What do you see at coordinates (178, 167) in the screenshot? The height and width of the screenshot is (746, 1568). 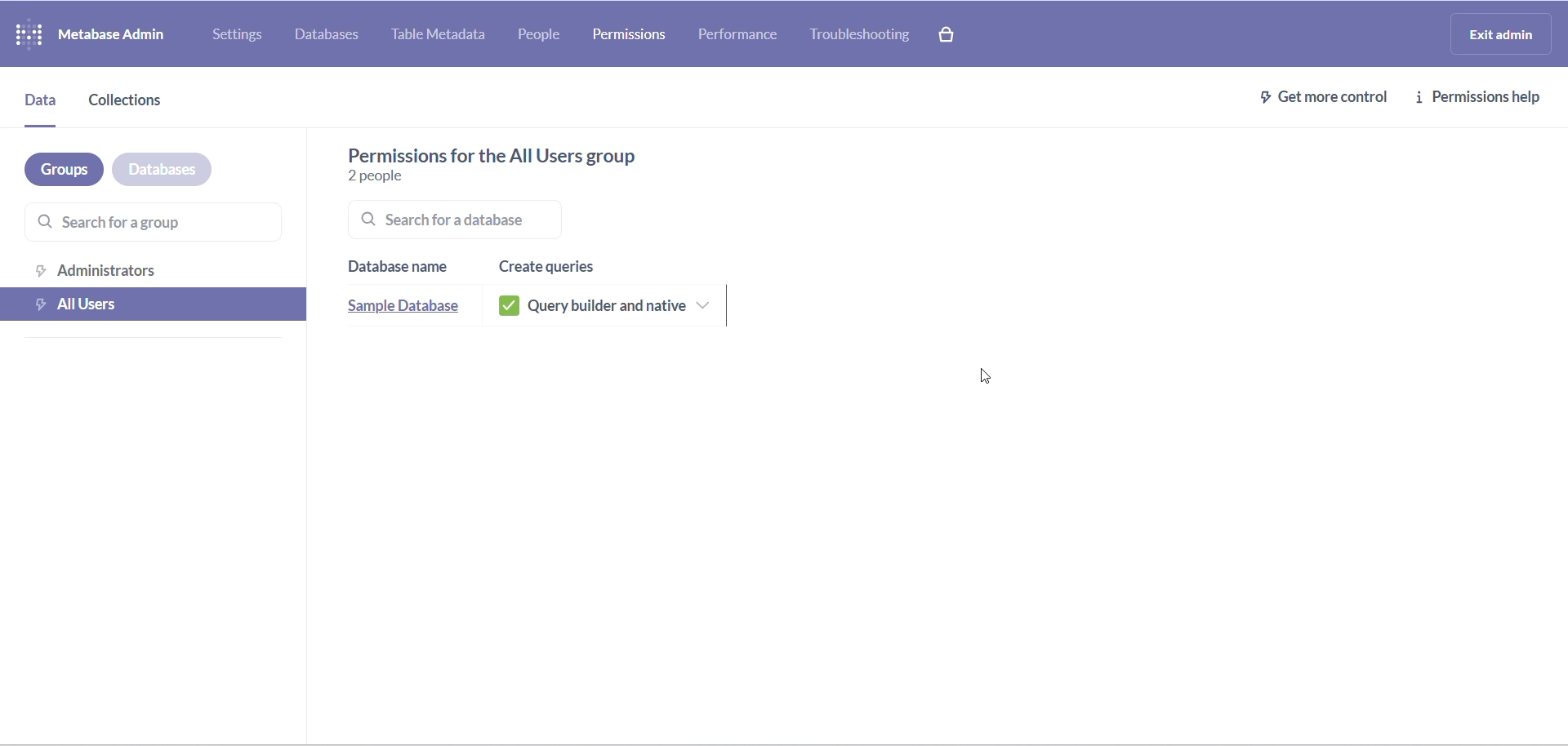 I see `databases` at bounding box center [178, 167].